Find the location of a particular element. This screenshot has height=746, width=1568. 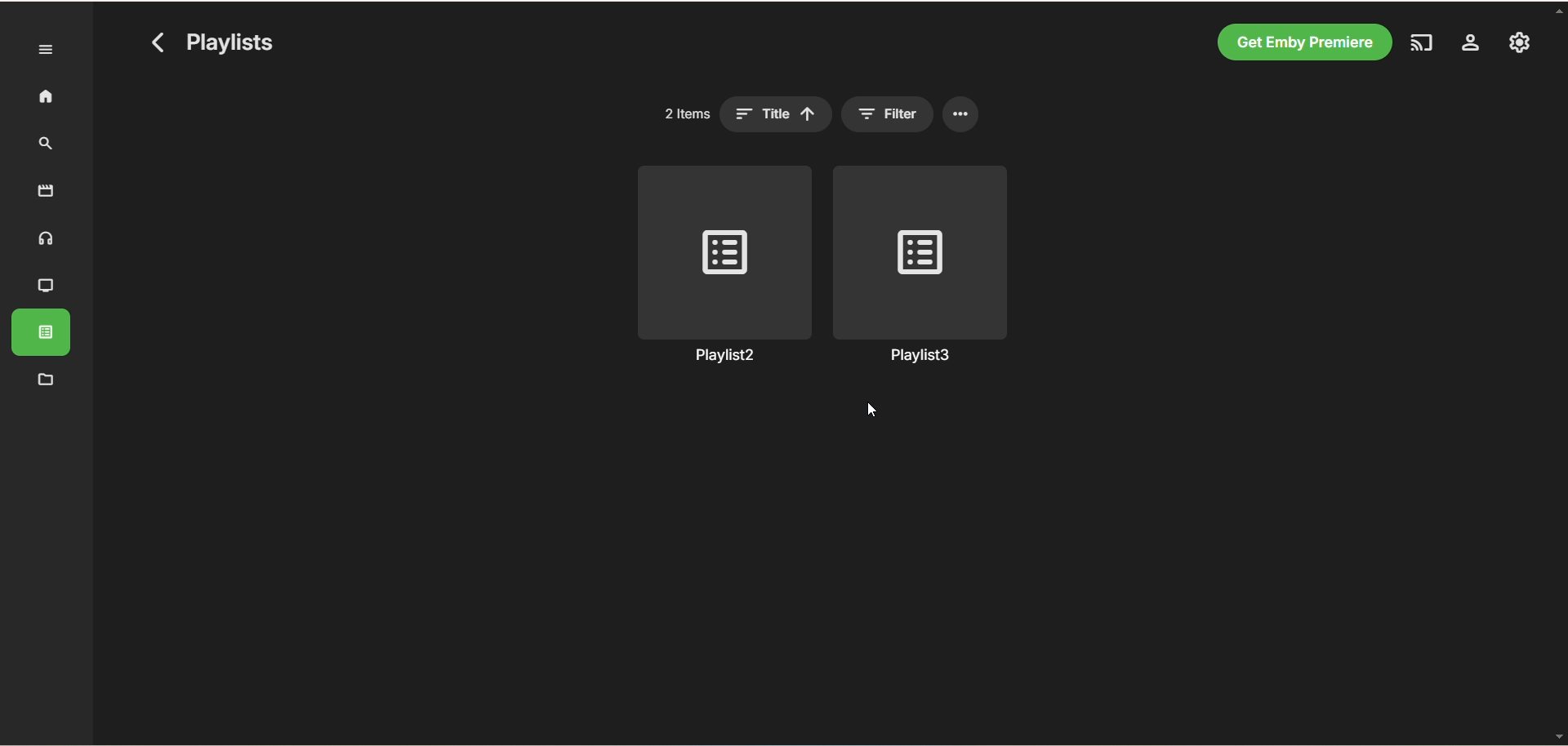

settings is located at coordinates (1469, 45).